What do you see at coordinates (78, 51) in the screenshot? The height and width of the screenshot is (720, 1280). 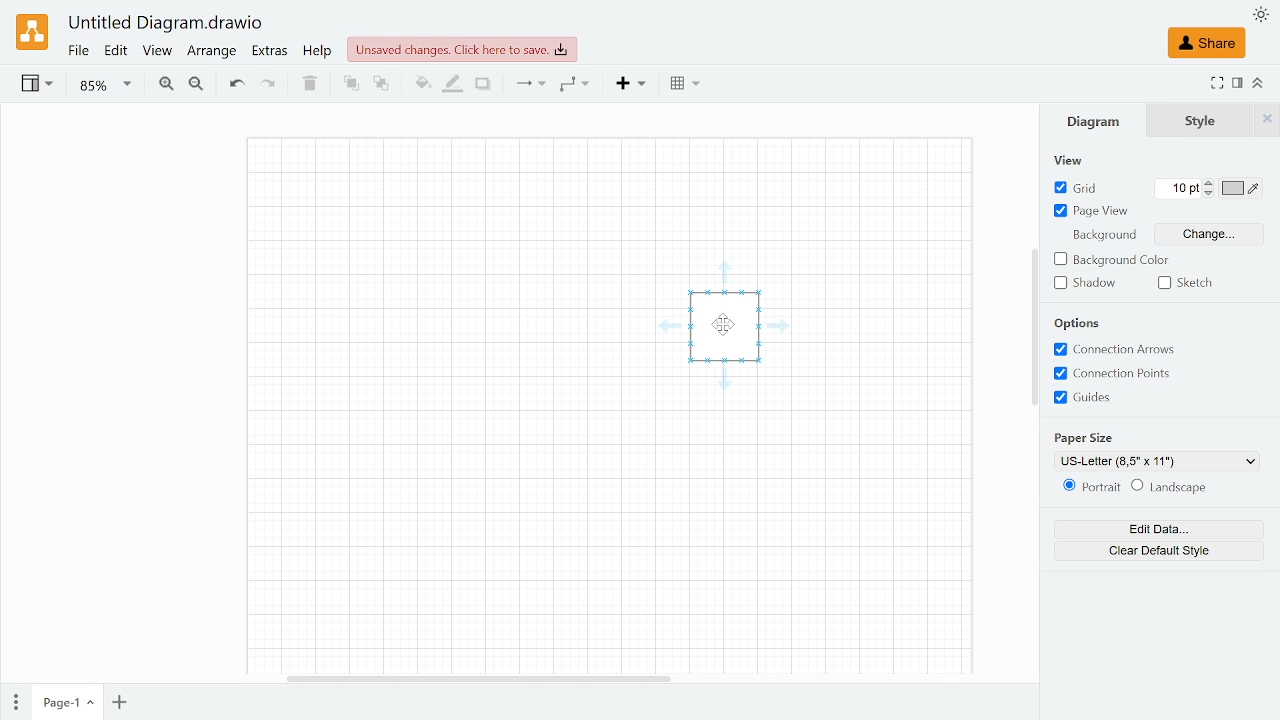 I see `File` at bounding box center [78, 51].